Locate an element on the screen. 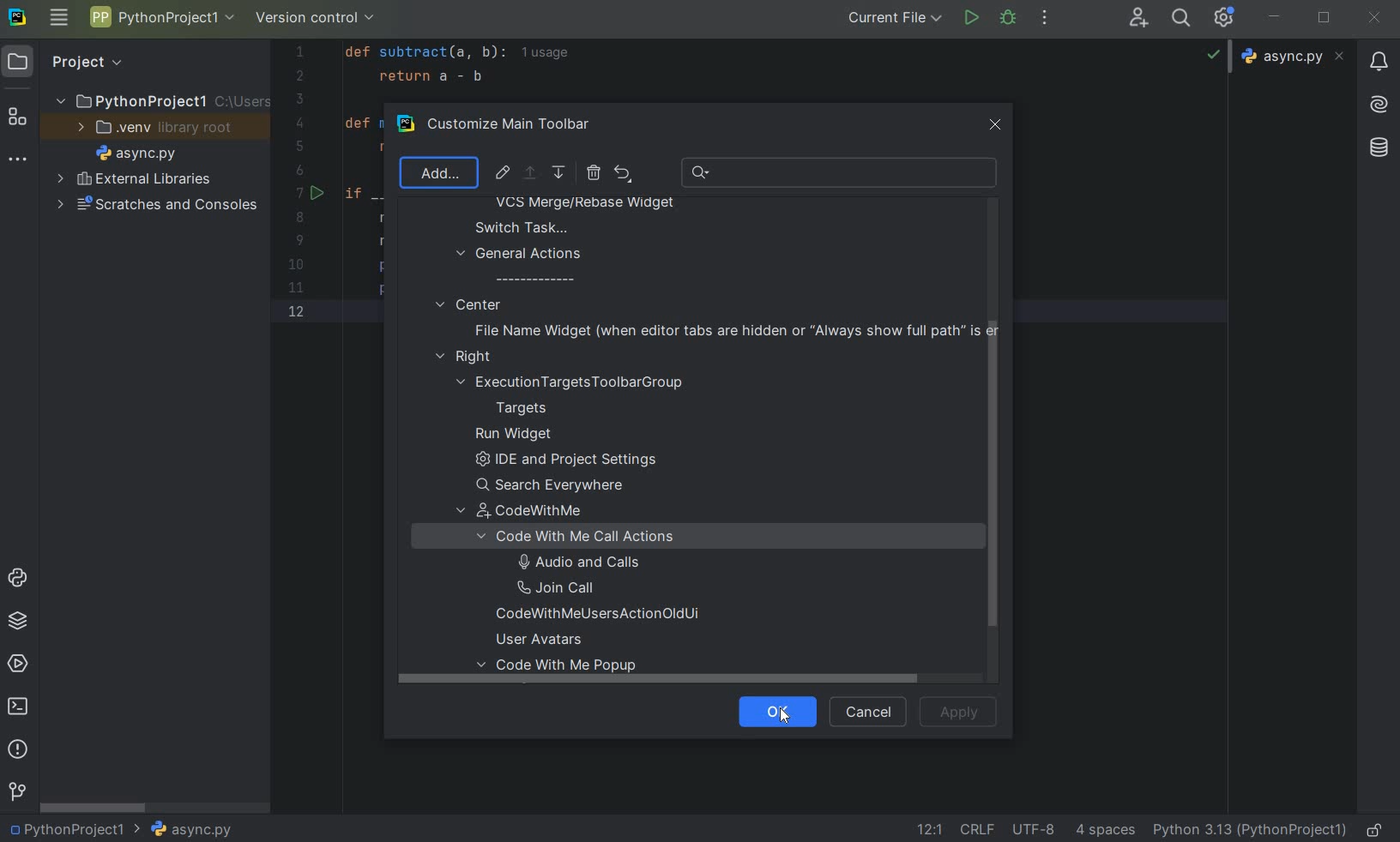 The height and width of the screenshot is (842, 1400). DEBUG is located at coordinates (1011, 21).